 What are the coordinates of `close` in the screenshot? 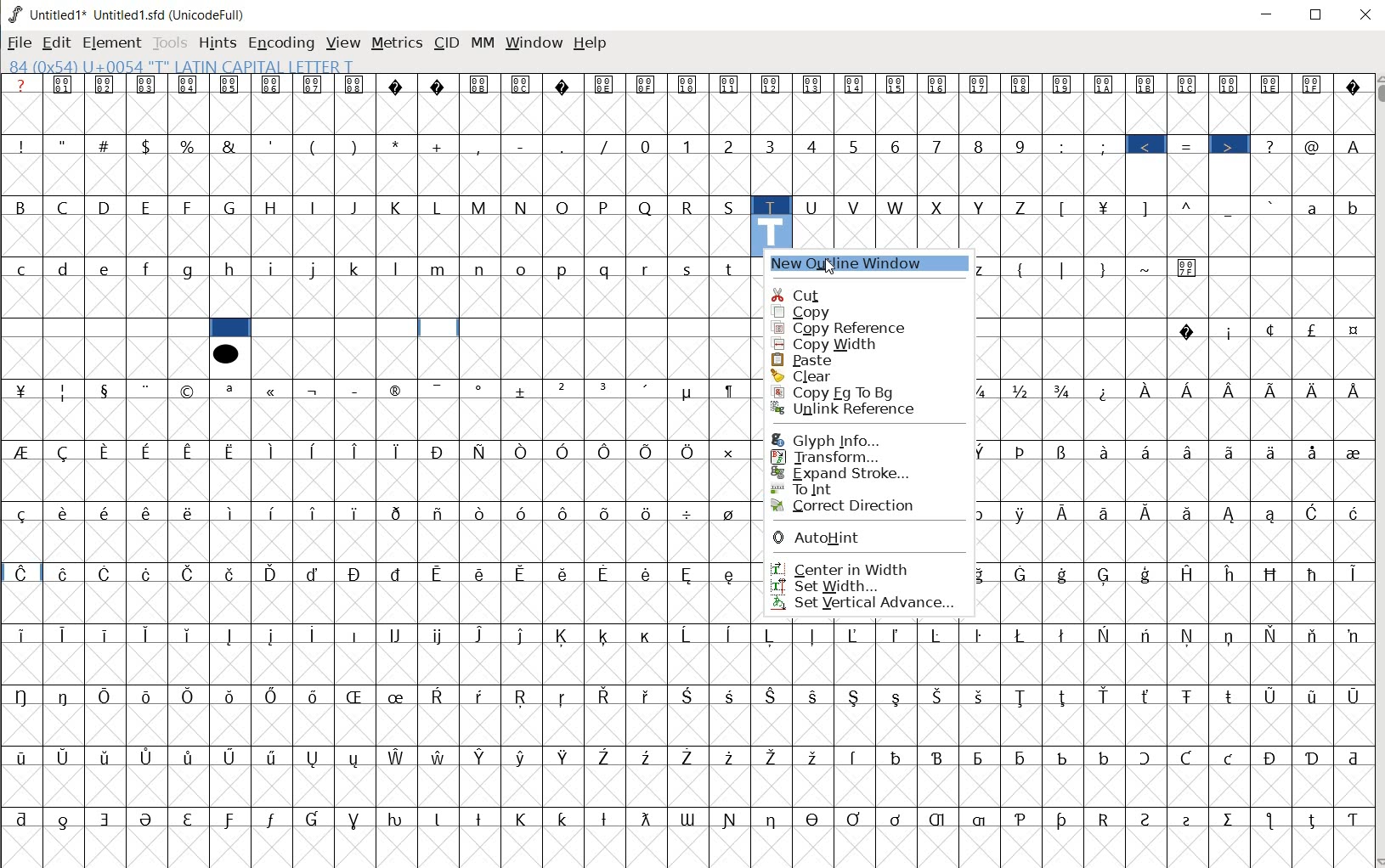 It's located at (1367, 15).